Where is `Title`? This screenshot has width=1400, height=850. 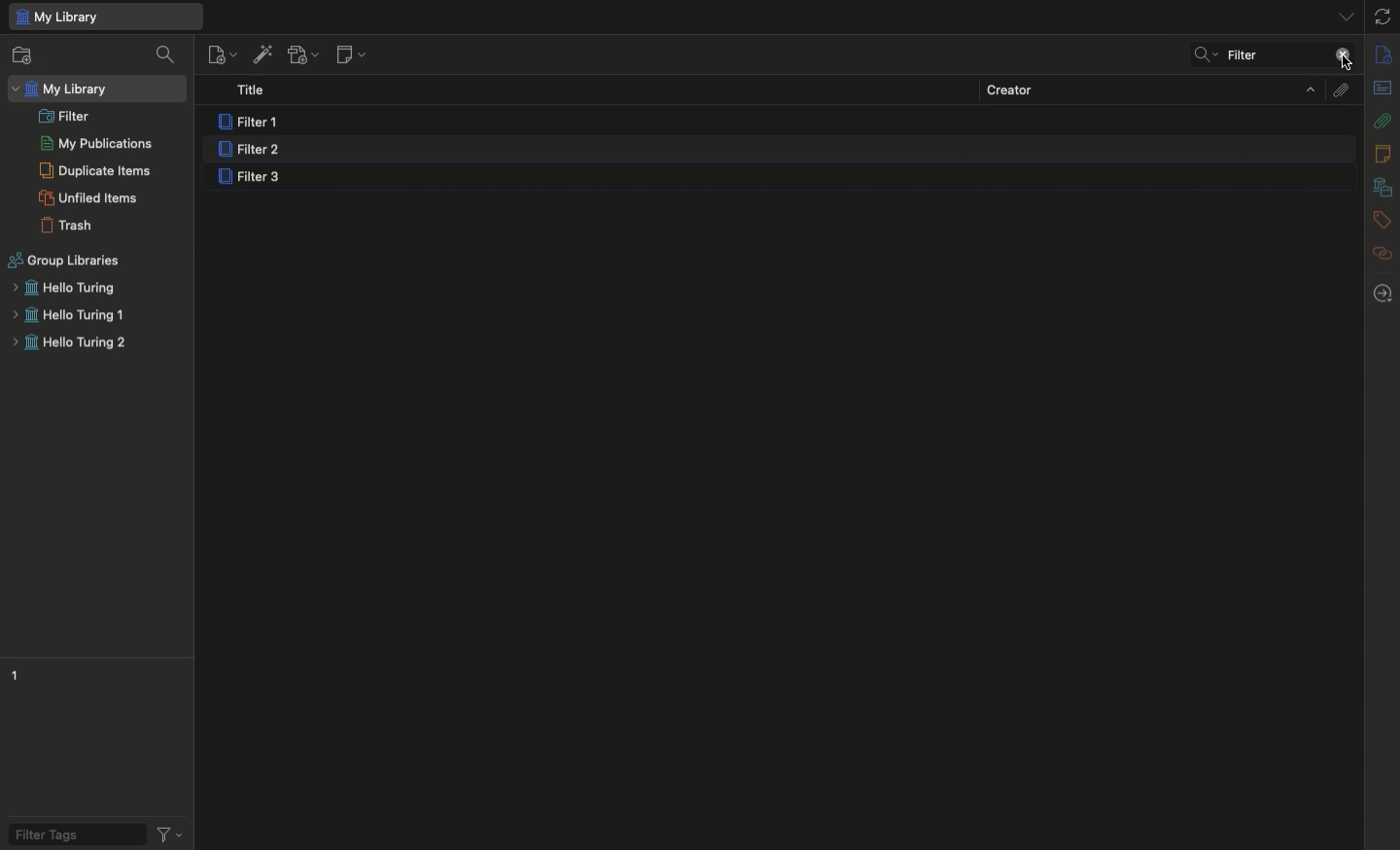 Title is located at coordinates (257, 91).